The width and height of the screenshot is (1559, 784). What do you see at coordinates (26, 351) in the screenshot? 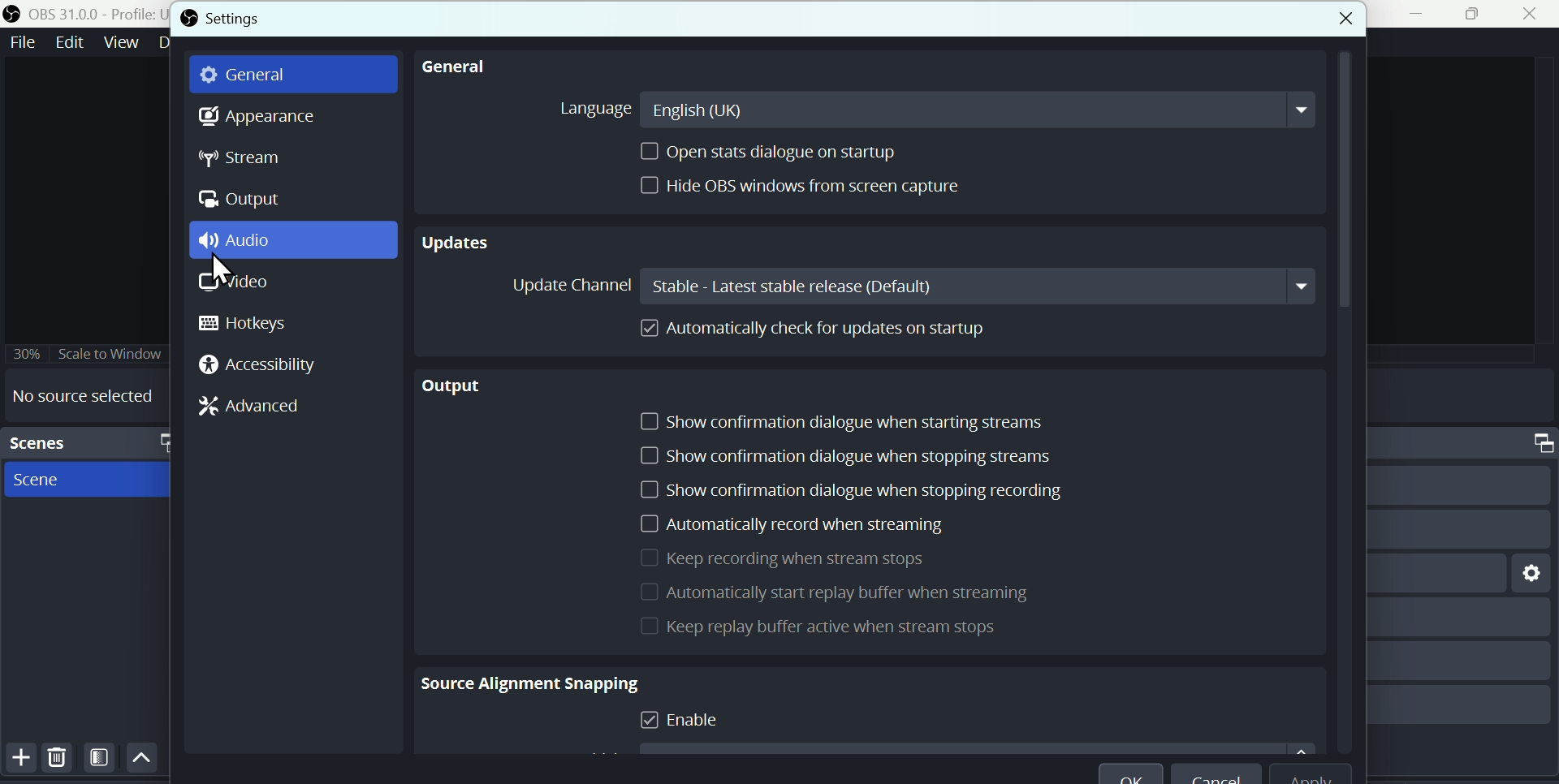
I see `30%` at bounding box center [26, 351].